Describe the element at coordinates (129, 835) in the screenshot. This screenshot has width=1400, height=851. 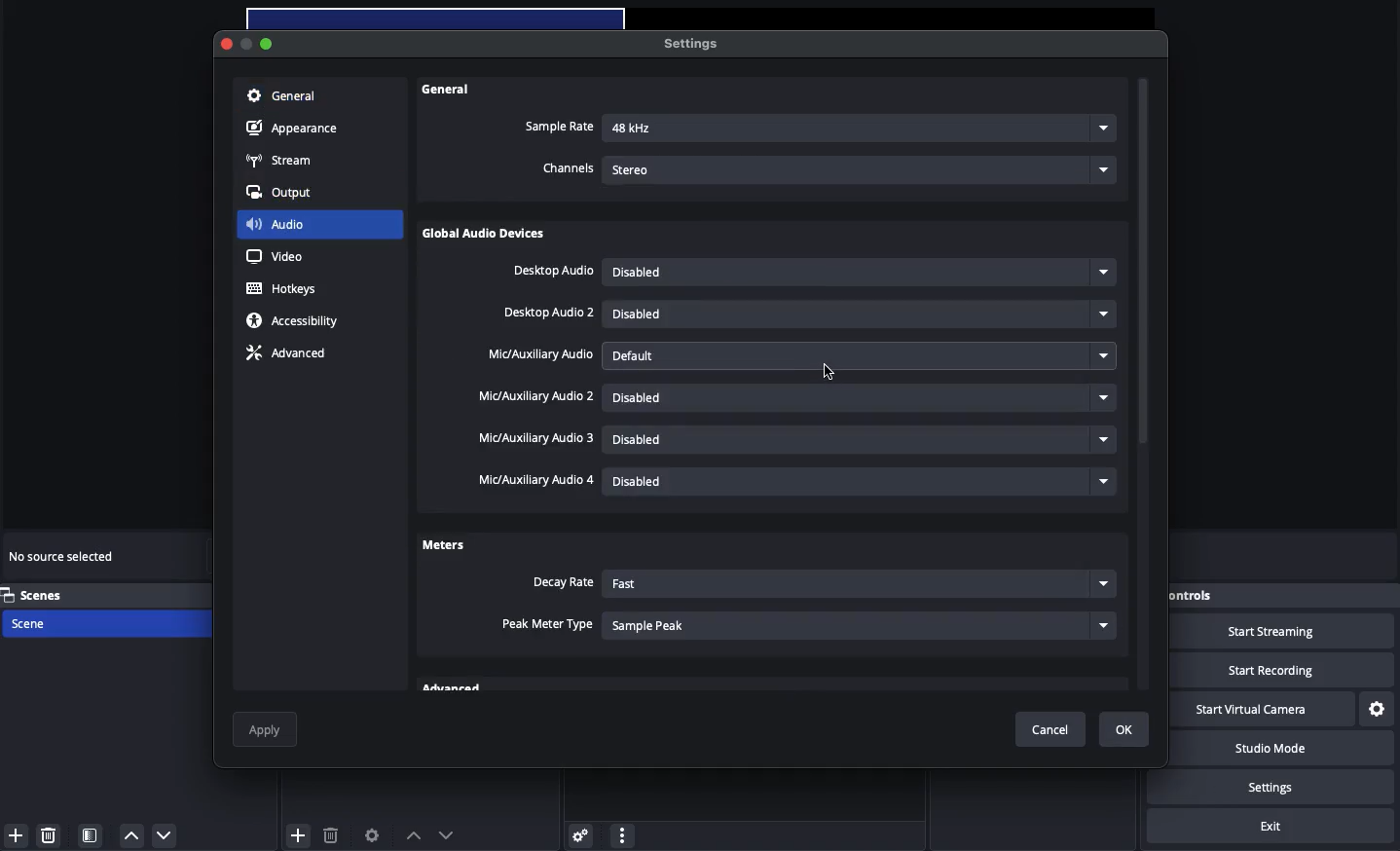
I see `Up` at that location.